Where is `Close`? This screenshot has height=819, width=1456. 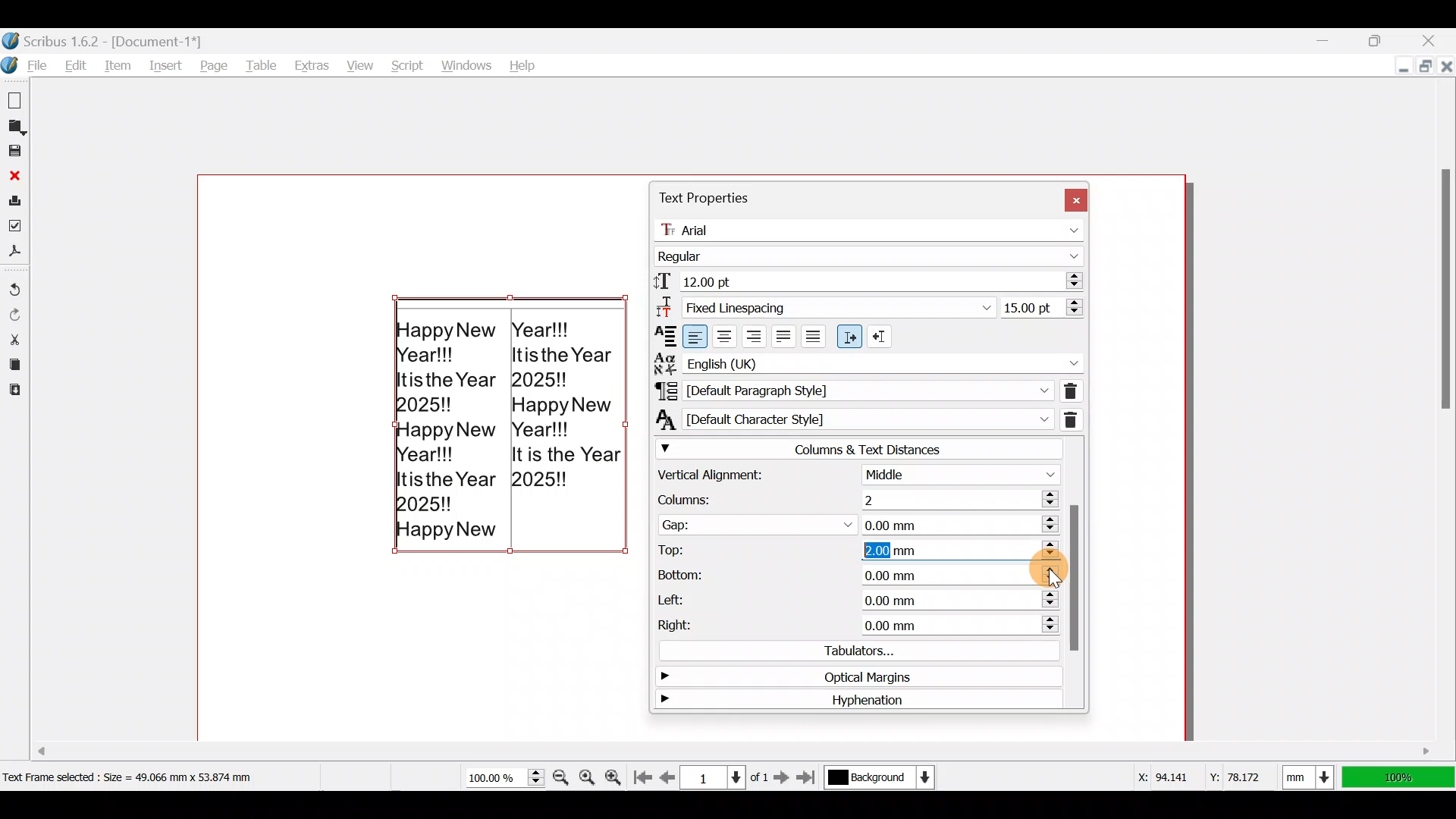
Close is located at coordinates (1445, 65).